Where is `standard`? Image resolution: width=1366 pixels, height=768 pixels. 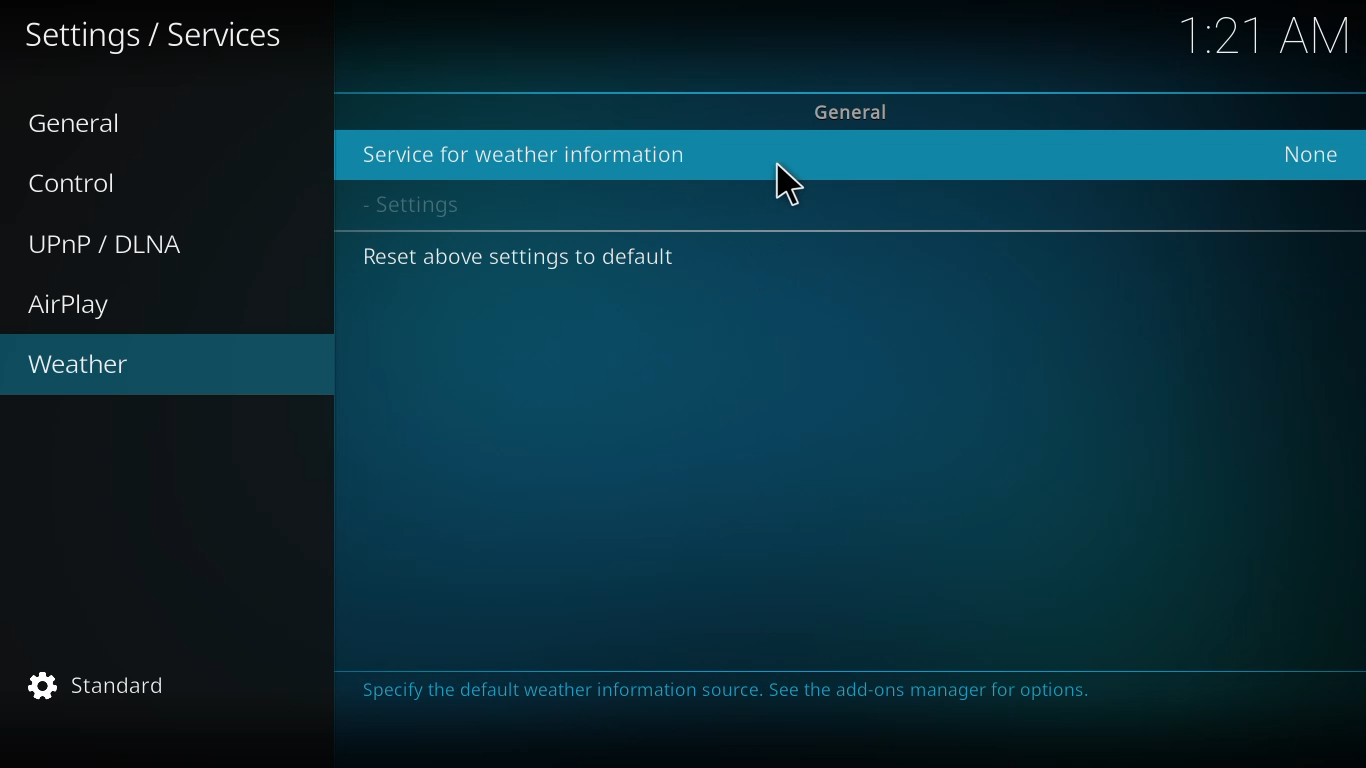
standard is located at coordinates (105, 687).